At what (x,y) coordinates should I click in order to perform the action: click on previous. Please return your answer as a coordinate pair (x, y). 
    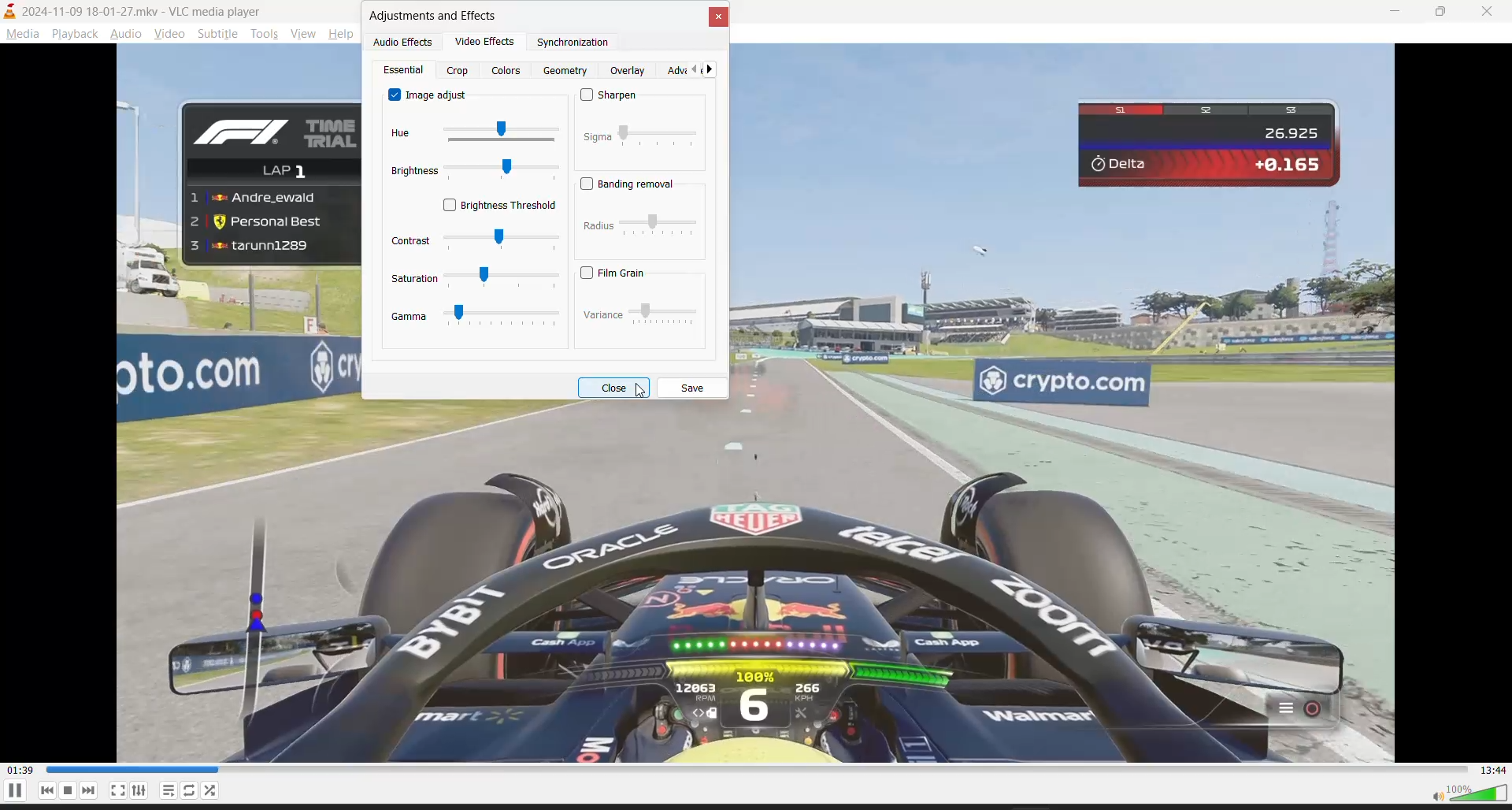
    Looking at the image, I should click on (43, 791).